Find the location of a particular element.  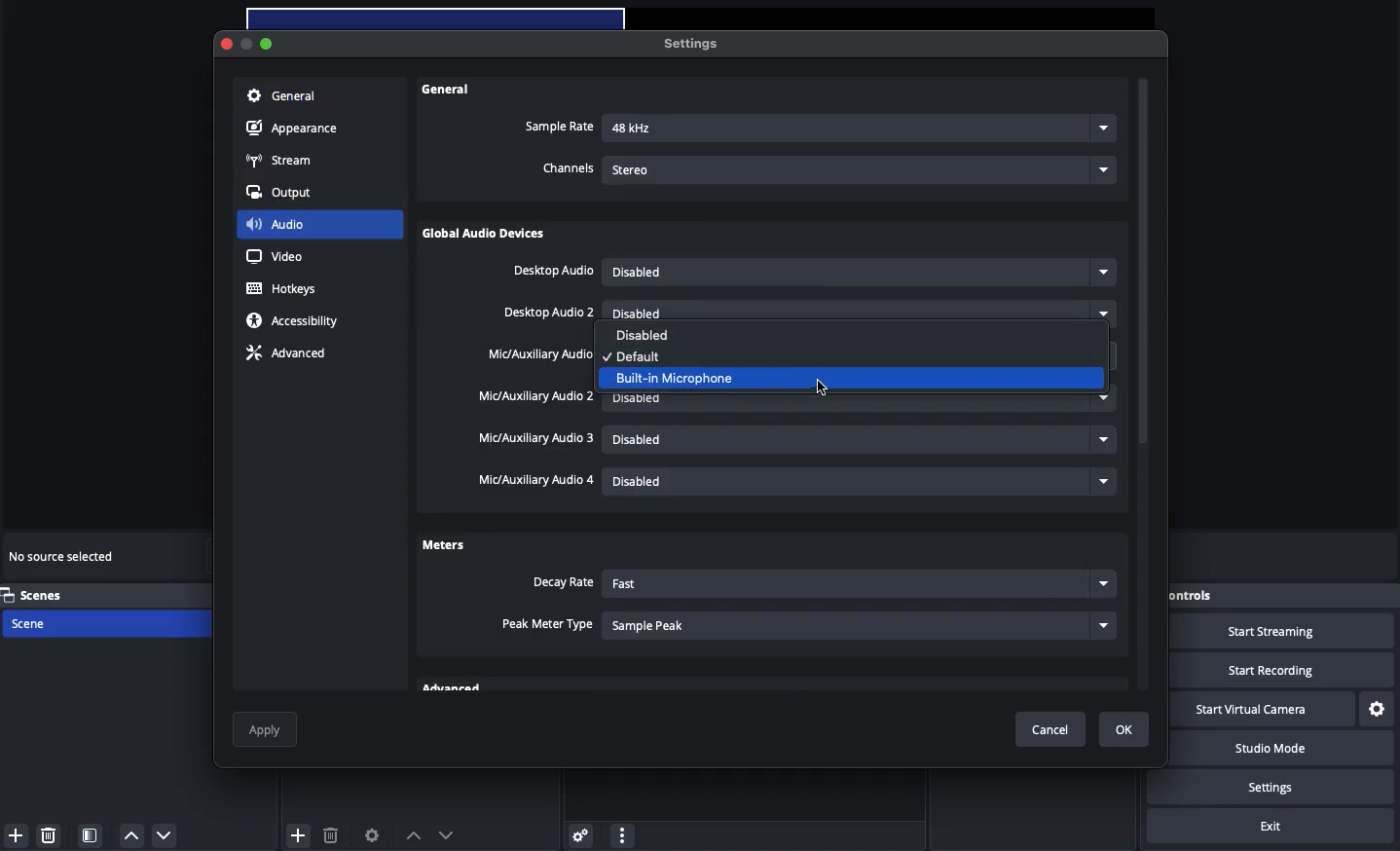

Video is located at coordinates (275, 256).